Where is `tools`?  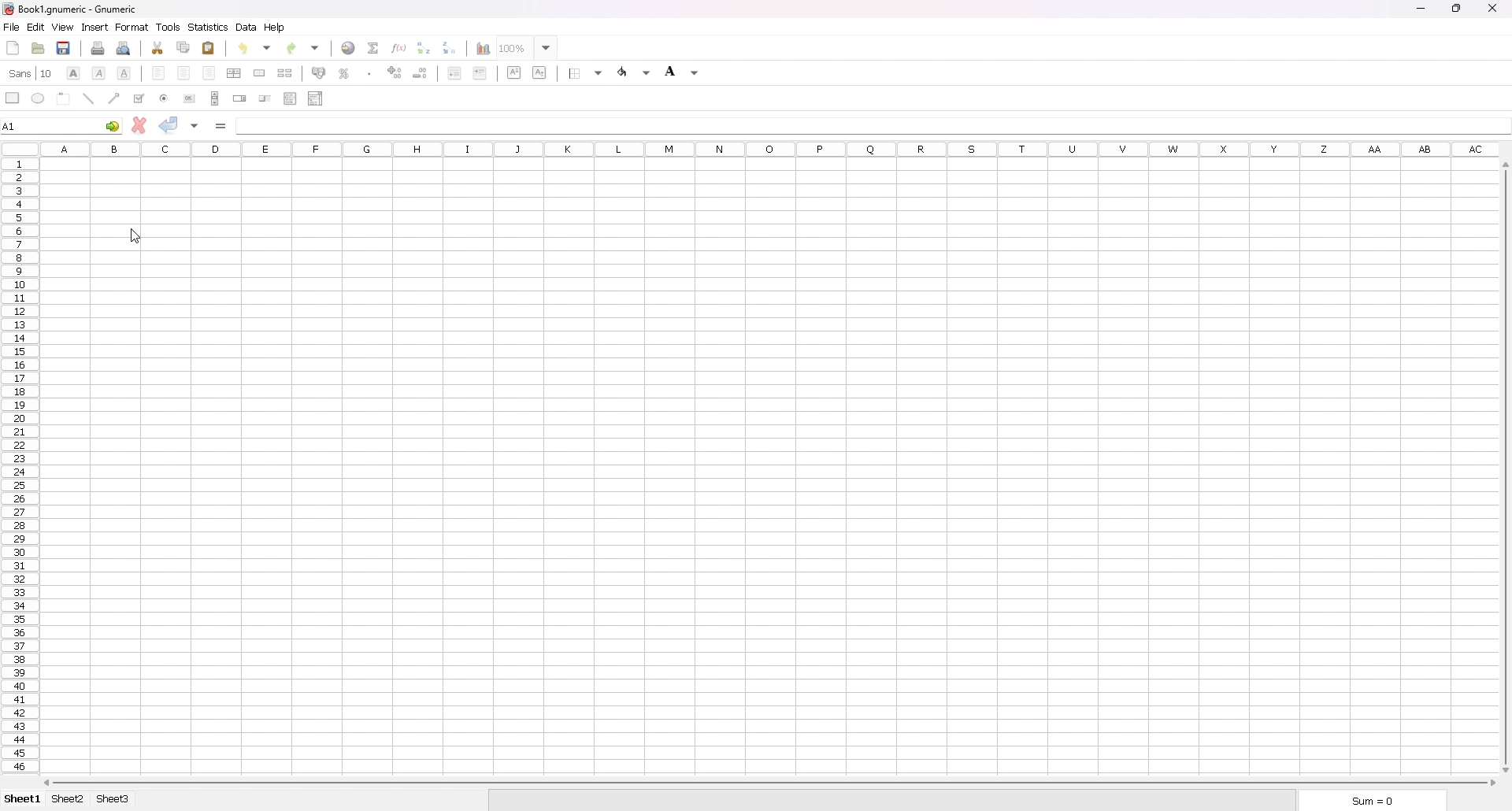
tools is located at coordinates (169, 27).